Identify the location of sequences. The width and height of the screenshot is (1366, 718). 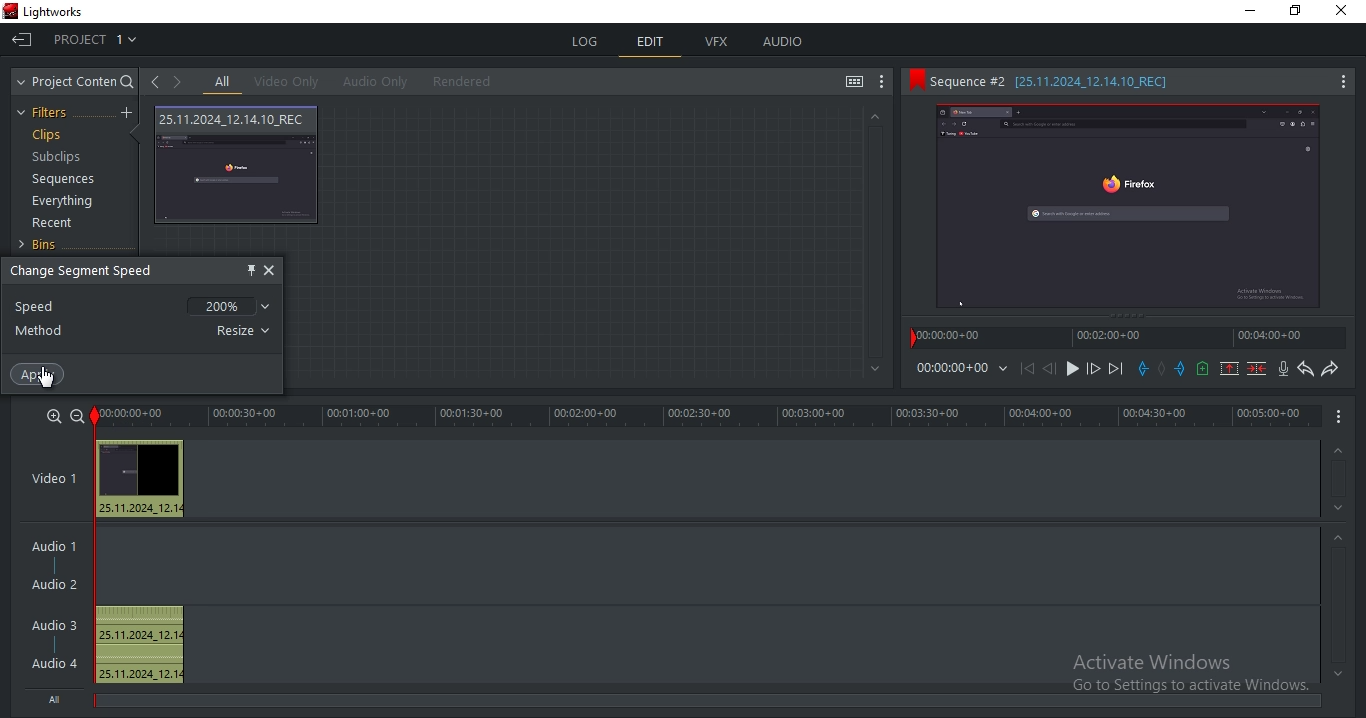
(64, 179).